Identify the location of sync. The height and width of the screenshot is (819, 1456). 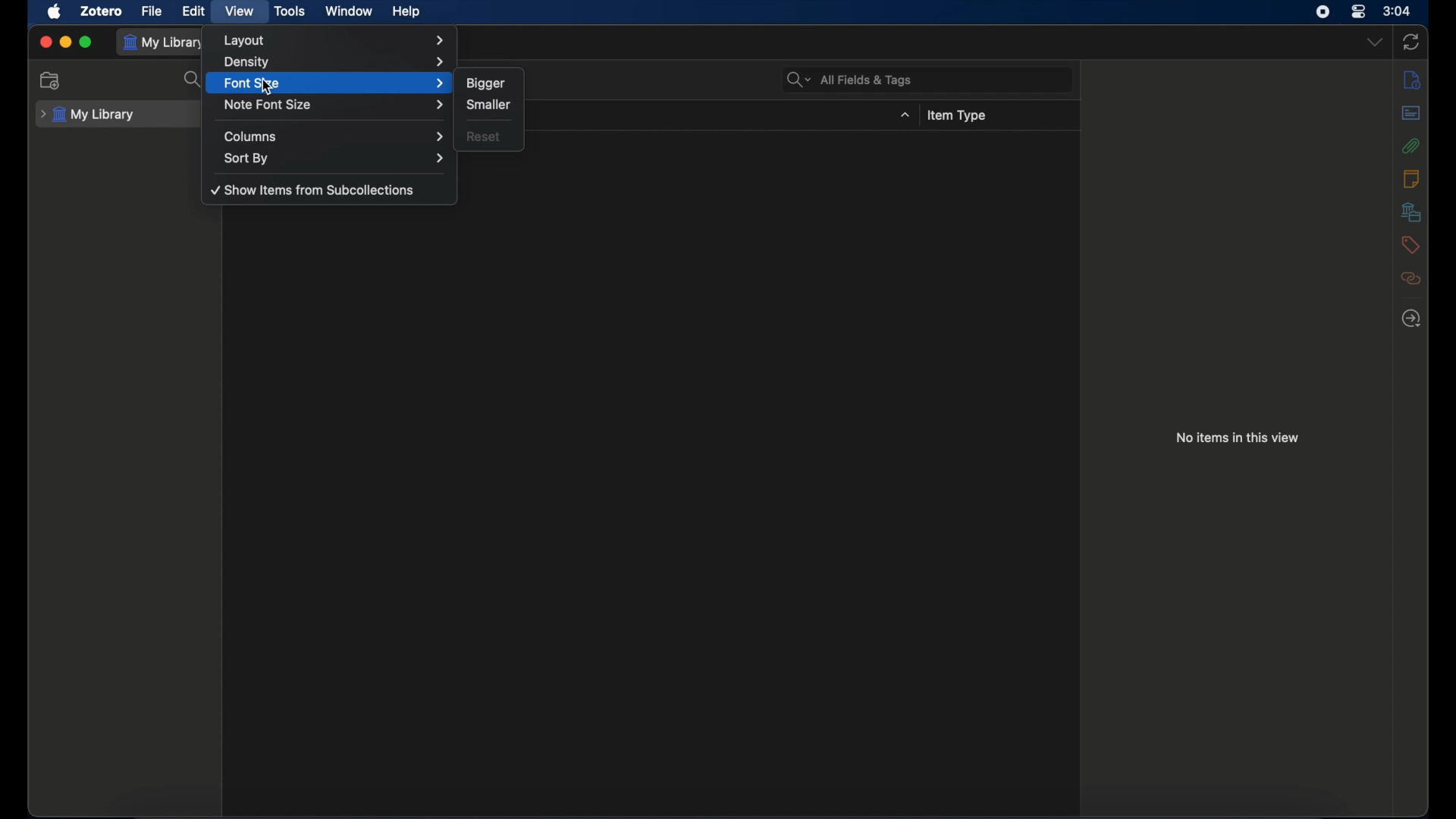
(1411, 42).